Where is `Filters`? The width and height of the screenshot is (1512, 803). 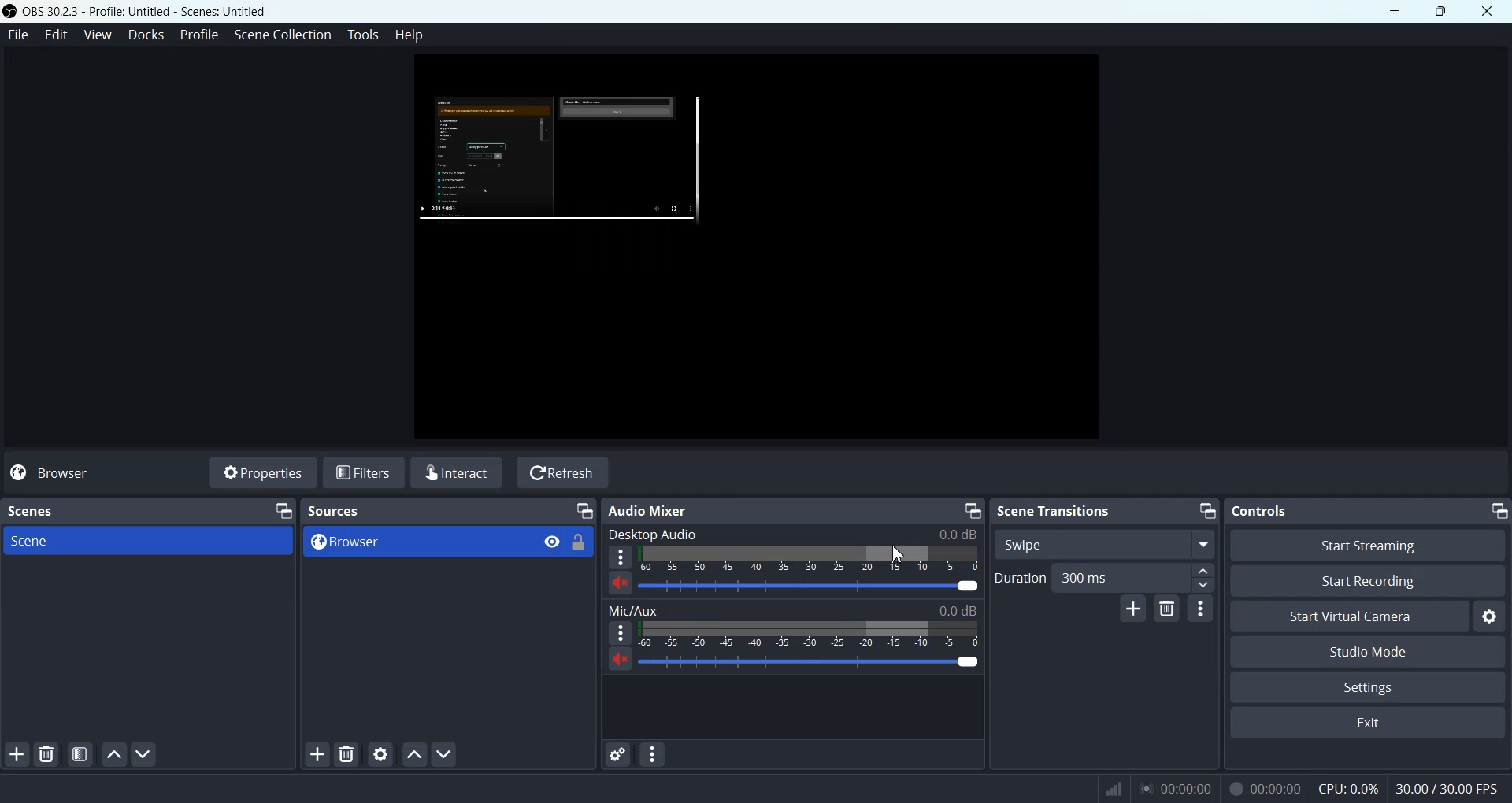 Filters is located at coordinates (365, 472).